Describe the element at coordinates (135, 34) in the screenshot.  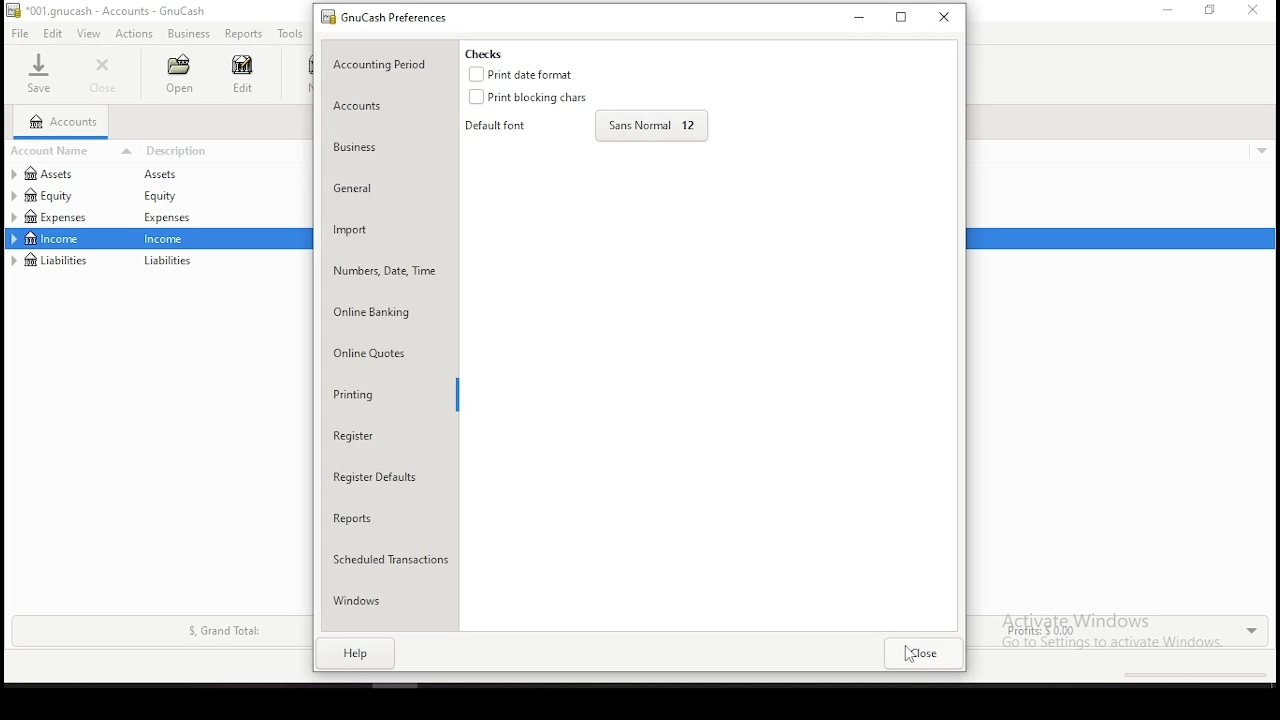
I see `actions` at that location.